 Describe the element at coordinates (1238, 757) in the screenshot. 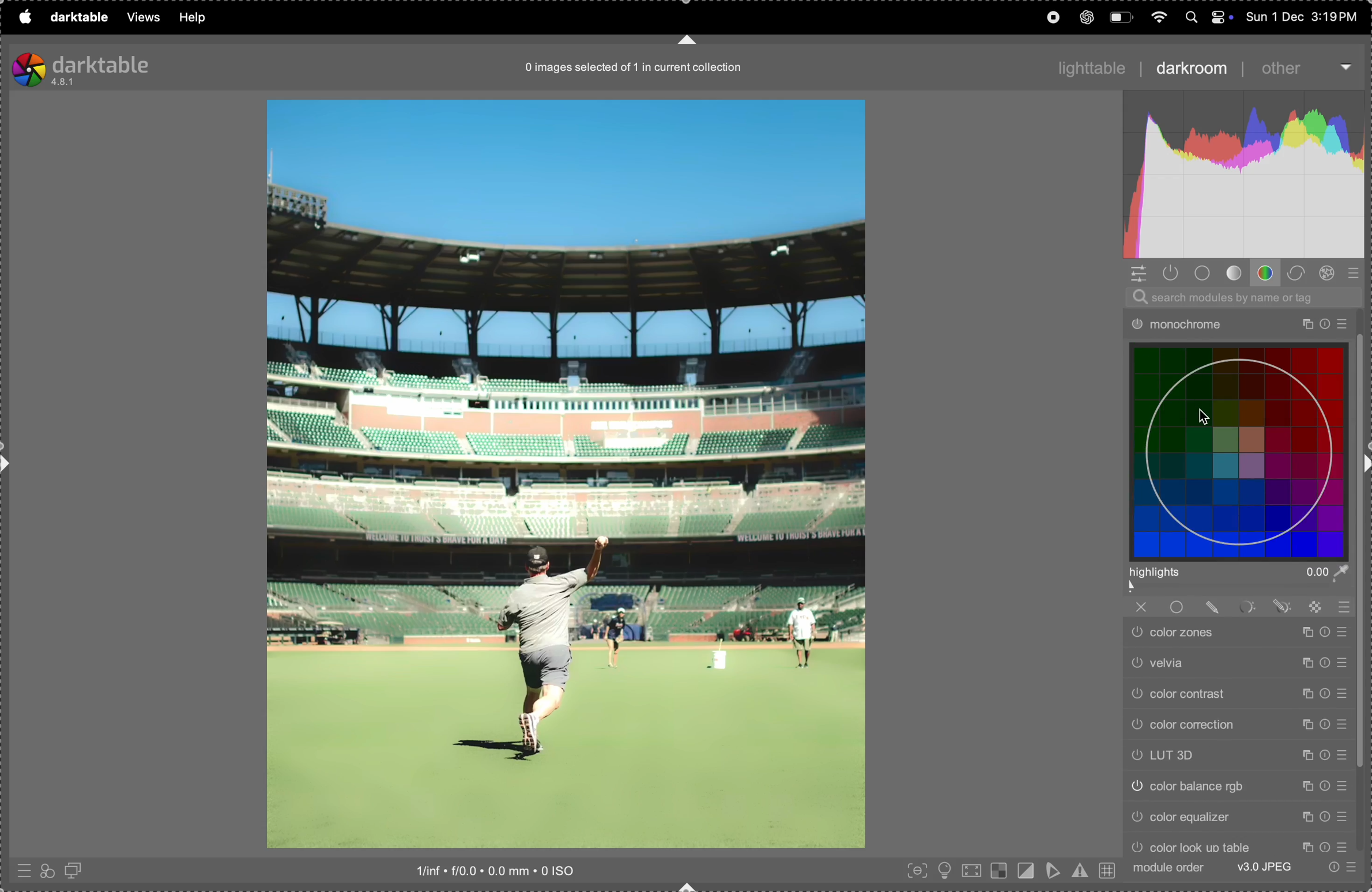

I see `Lut 3D` at that location.